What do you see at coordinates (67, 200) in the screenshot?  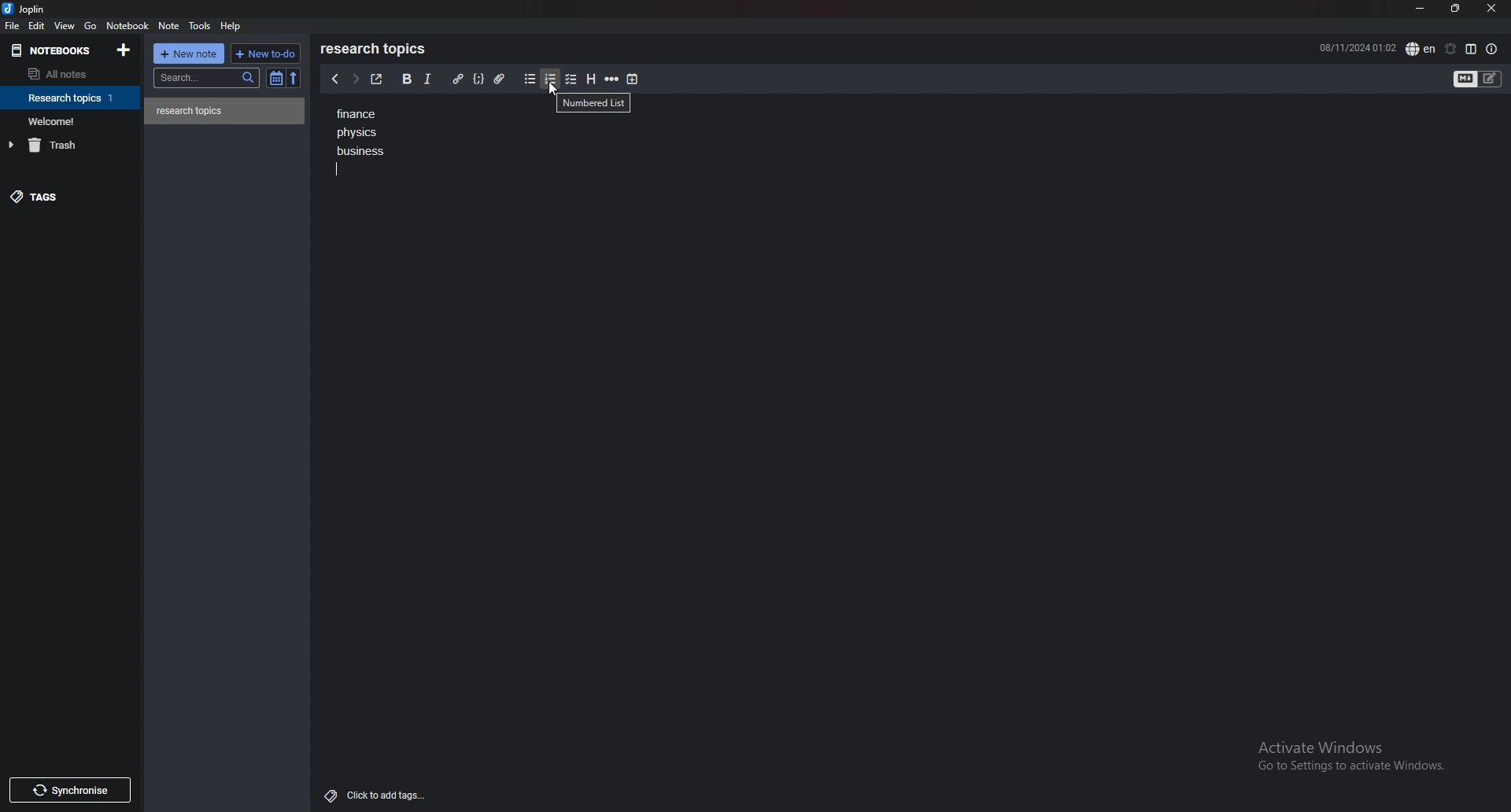 I see `tags` at bounding box center [67, 200].